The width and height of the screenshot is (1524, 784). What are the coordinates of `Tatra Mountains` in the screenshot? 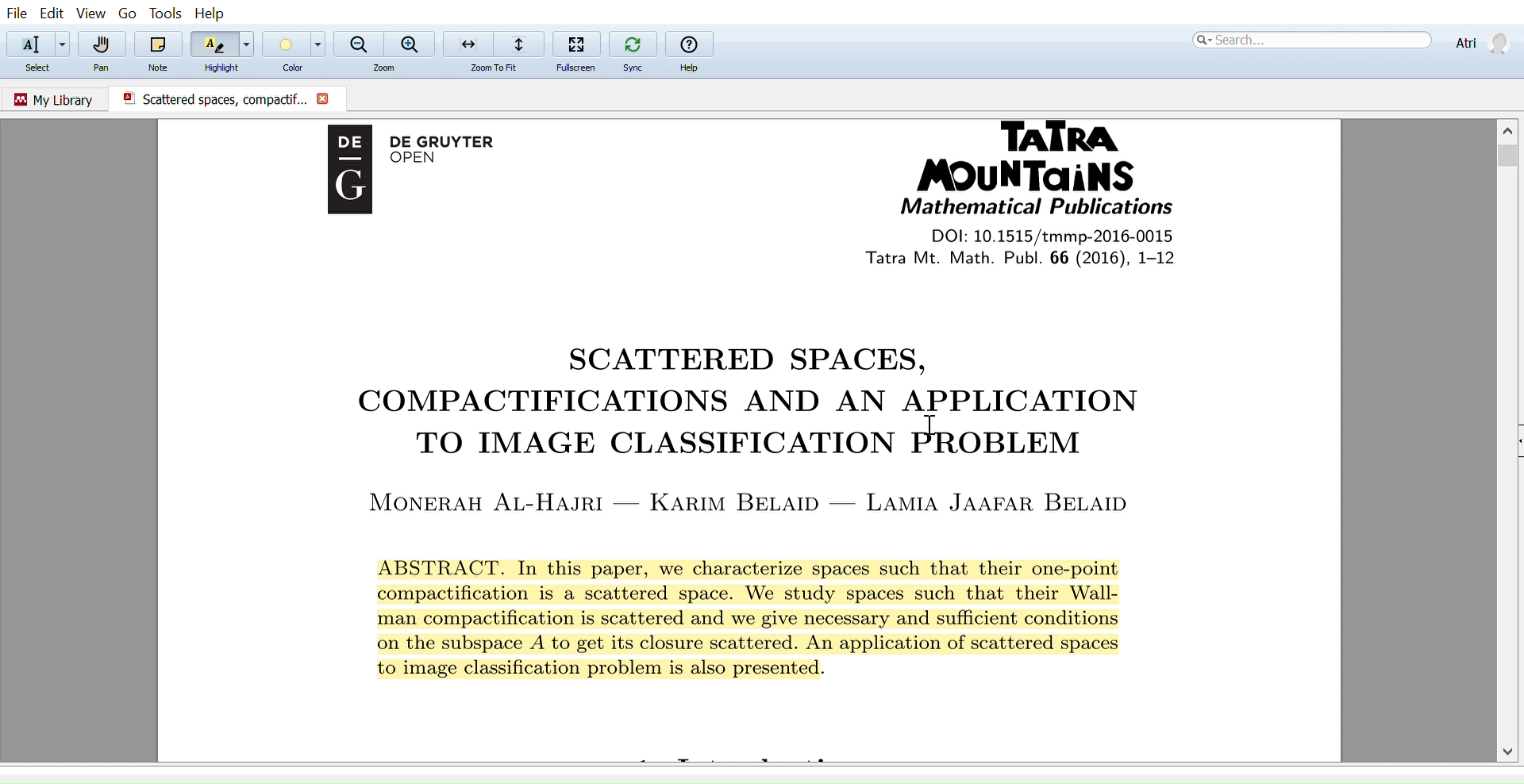 It's located at (1045, 157).